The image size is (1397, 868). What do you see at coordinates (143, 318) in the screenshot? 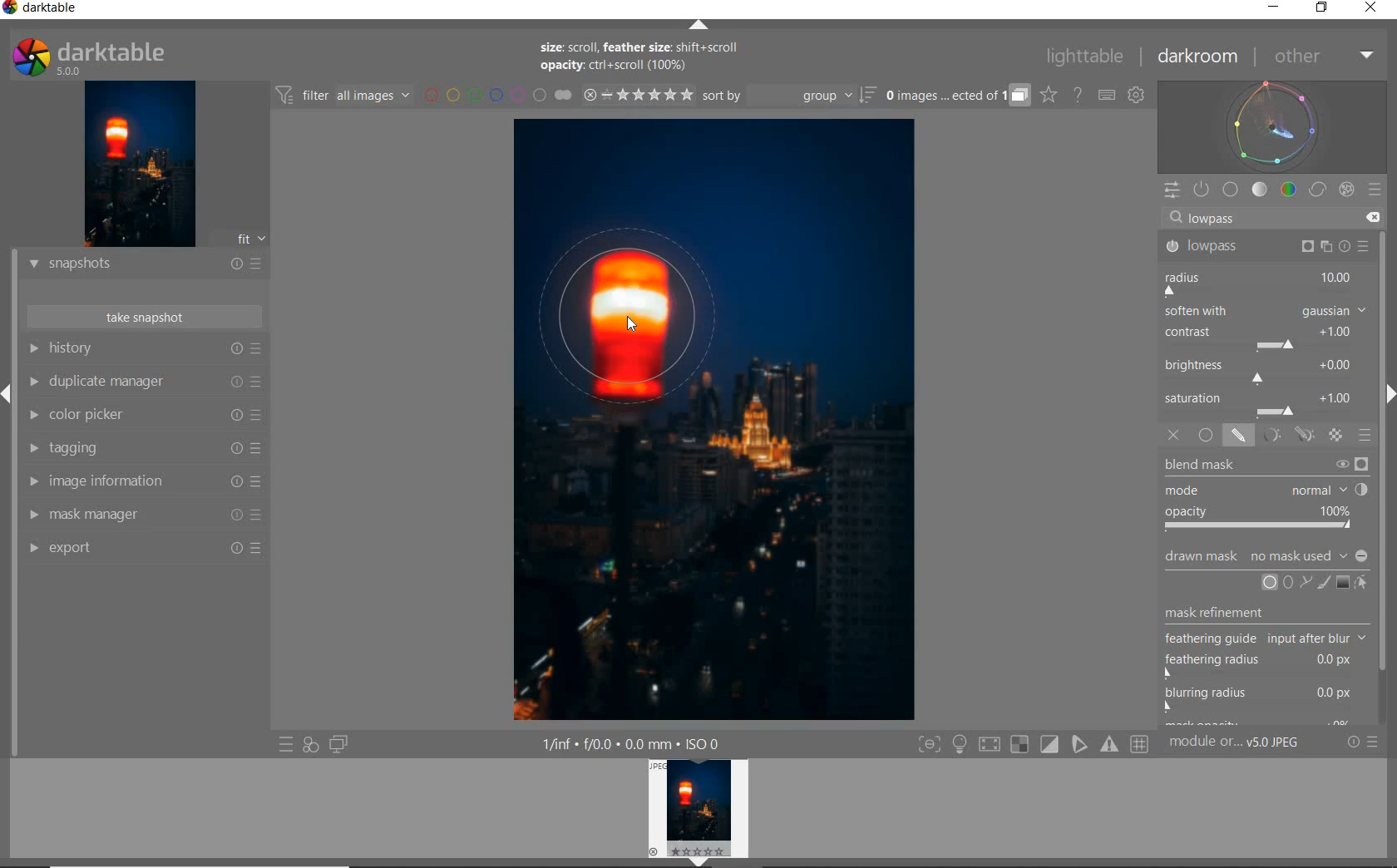
I see `TAKE SNAPSHOT` at bounding box center [143, 318].